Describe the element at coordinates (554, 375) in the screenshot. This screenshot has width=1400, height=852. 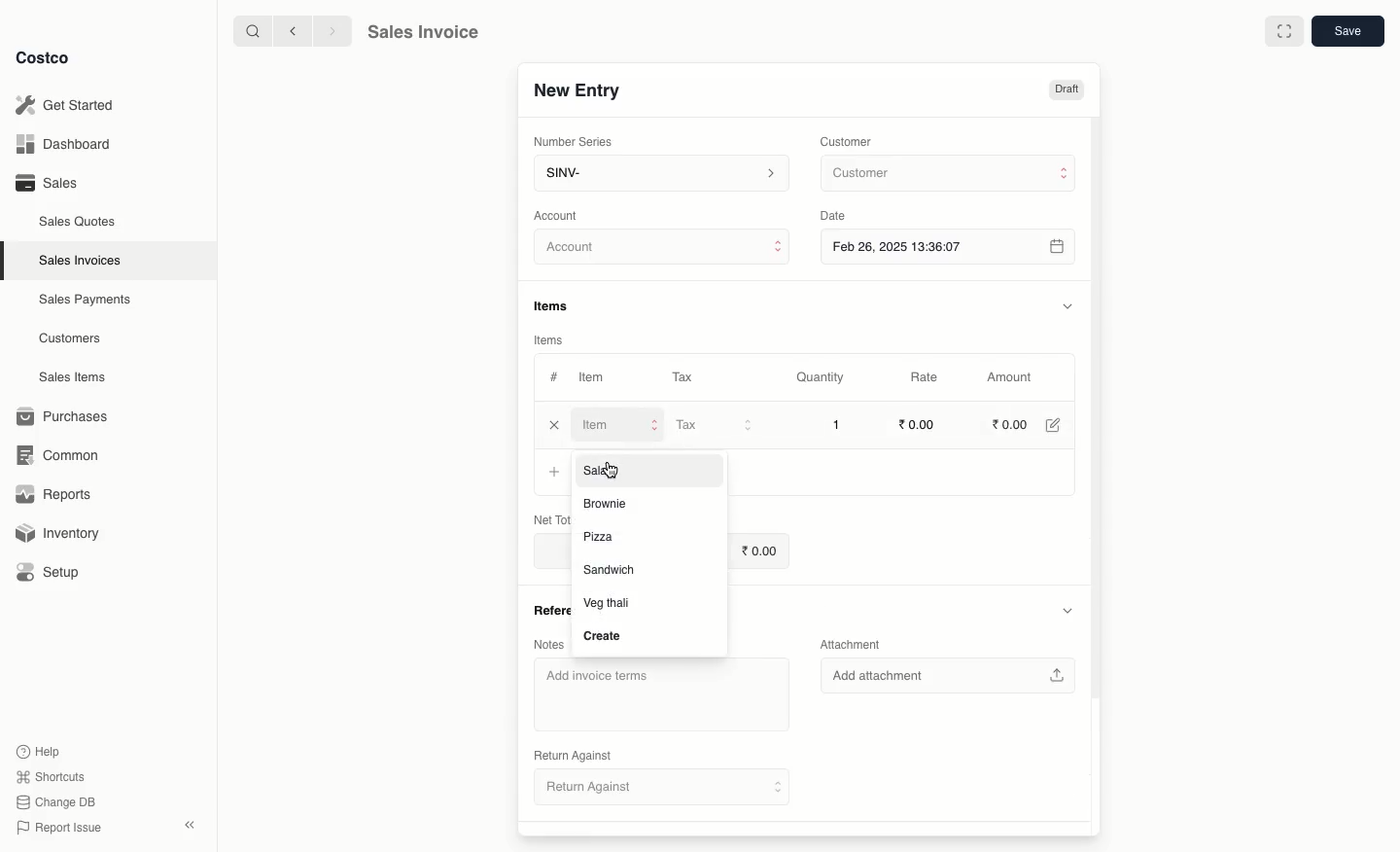
I see `#` at that location.